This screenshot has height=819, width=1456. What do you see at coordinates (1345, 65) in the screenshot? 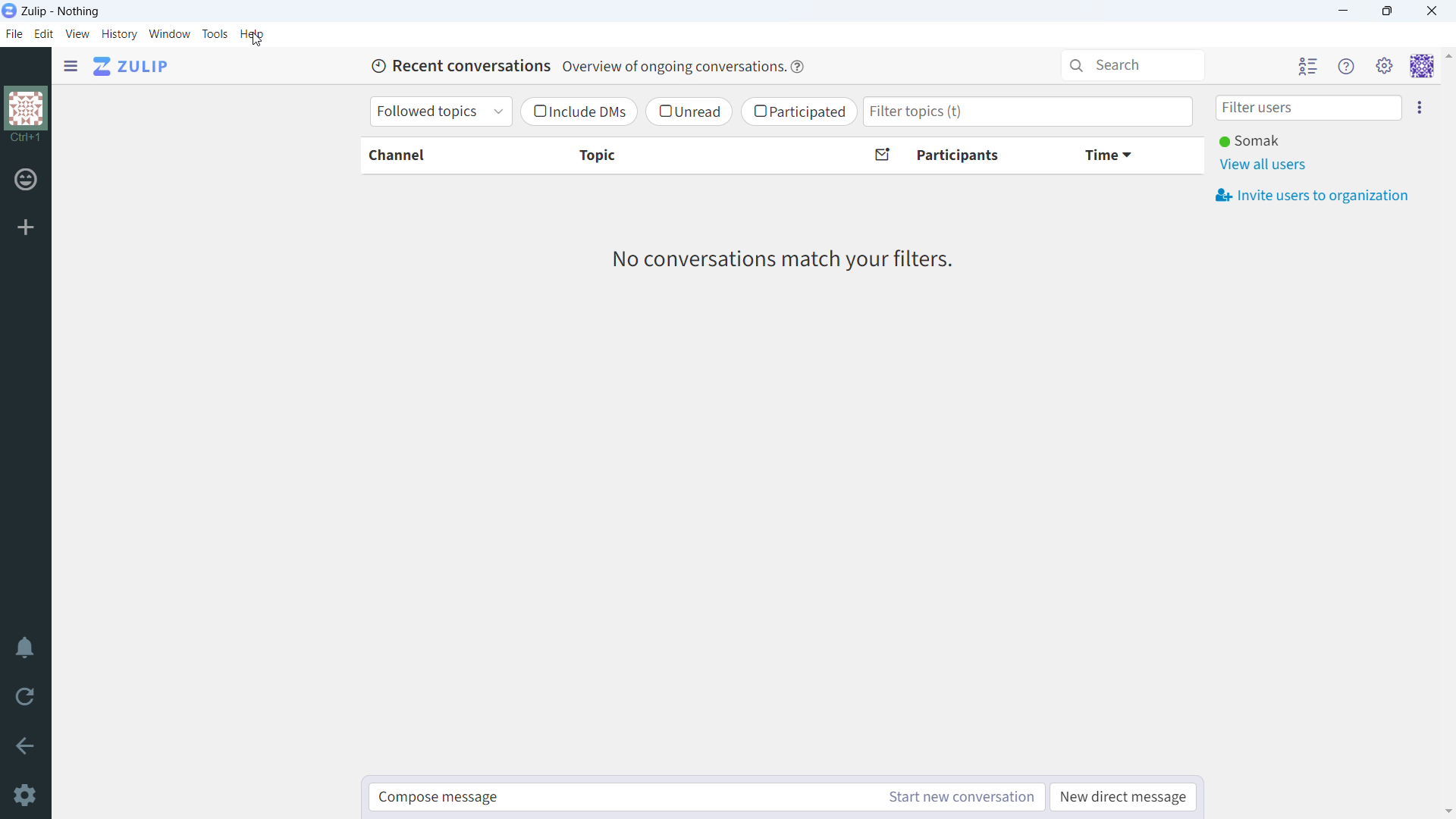
I see `help menu` at bounding box center [1345, 65].